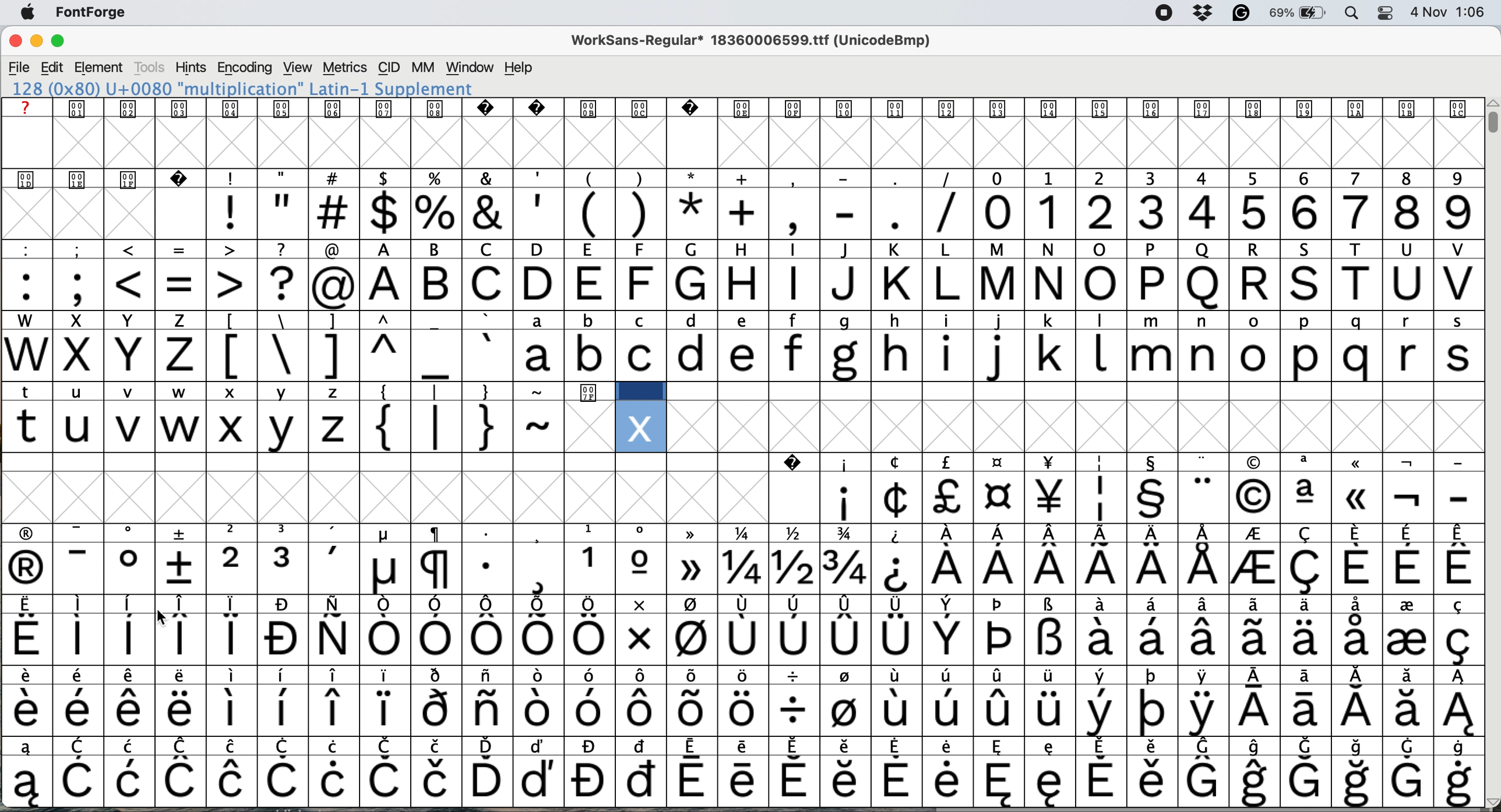 This screenshot has height=812, width=1501. I want to click on cid, so click(389, 68).